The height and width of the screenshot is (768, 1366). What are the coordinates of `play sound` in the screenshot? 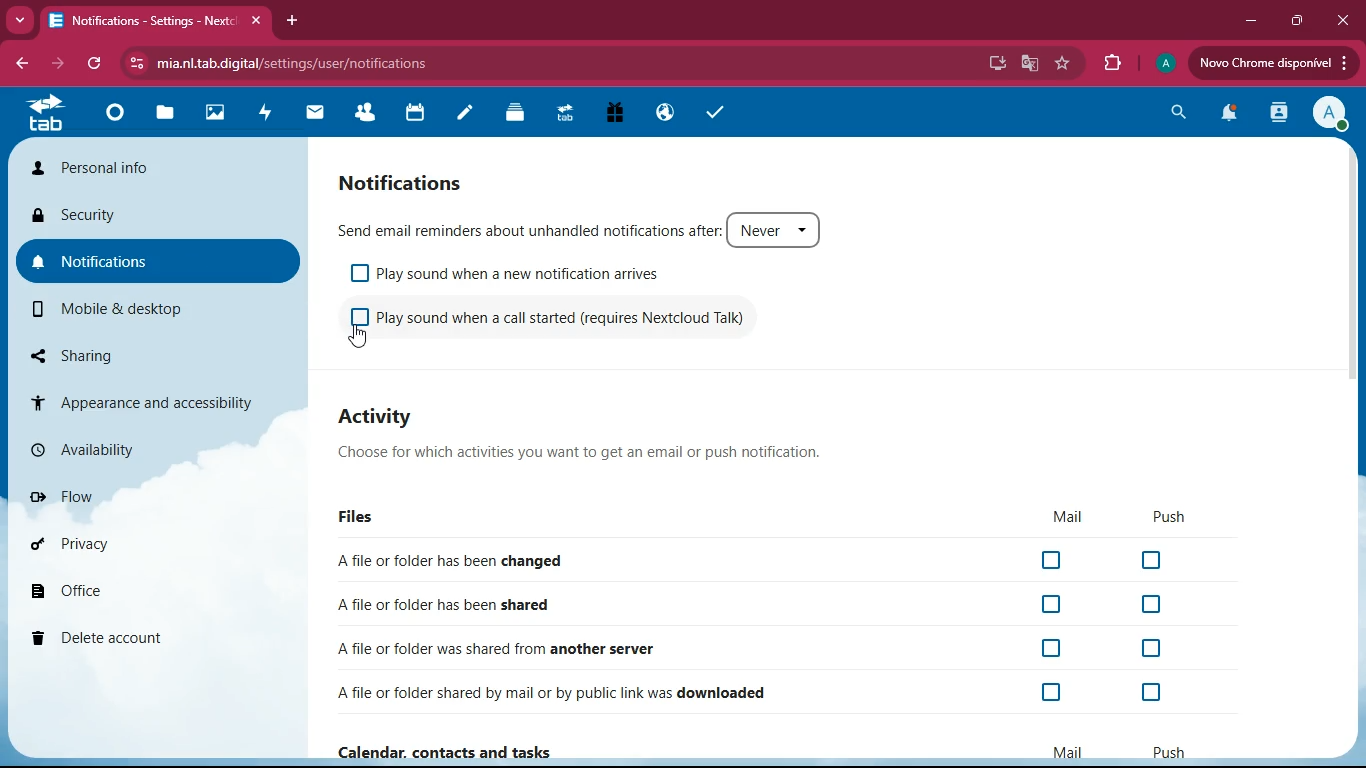 It's located at (534, 275).